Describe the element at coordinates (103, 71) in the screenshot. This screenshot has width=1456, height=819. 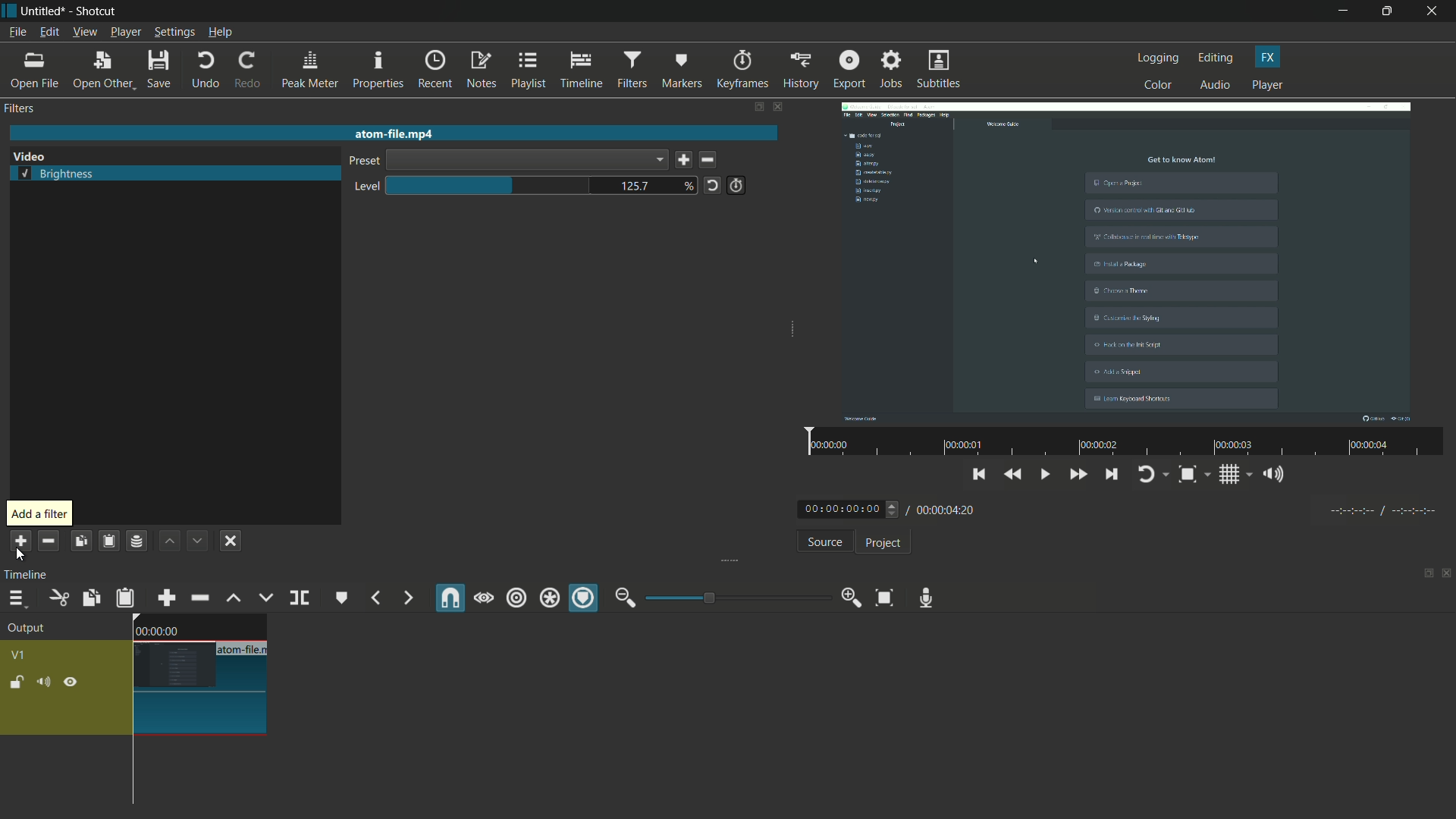
I see `open other` at that location.